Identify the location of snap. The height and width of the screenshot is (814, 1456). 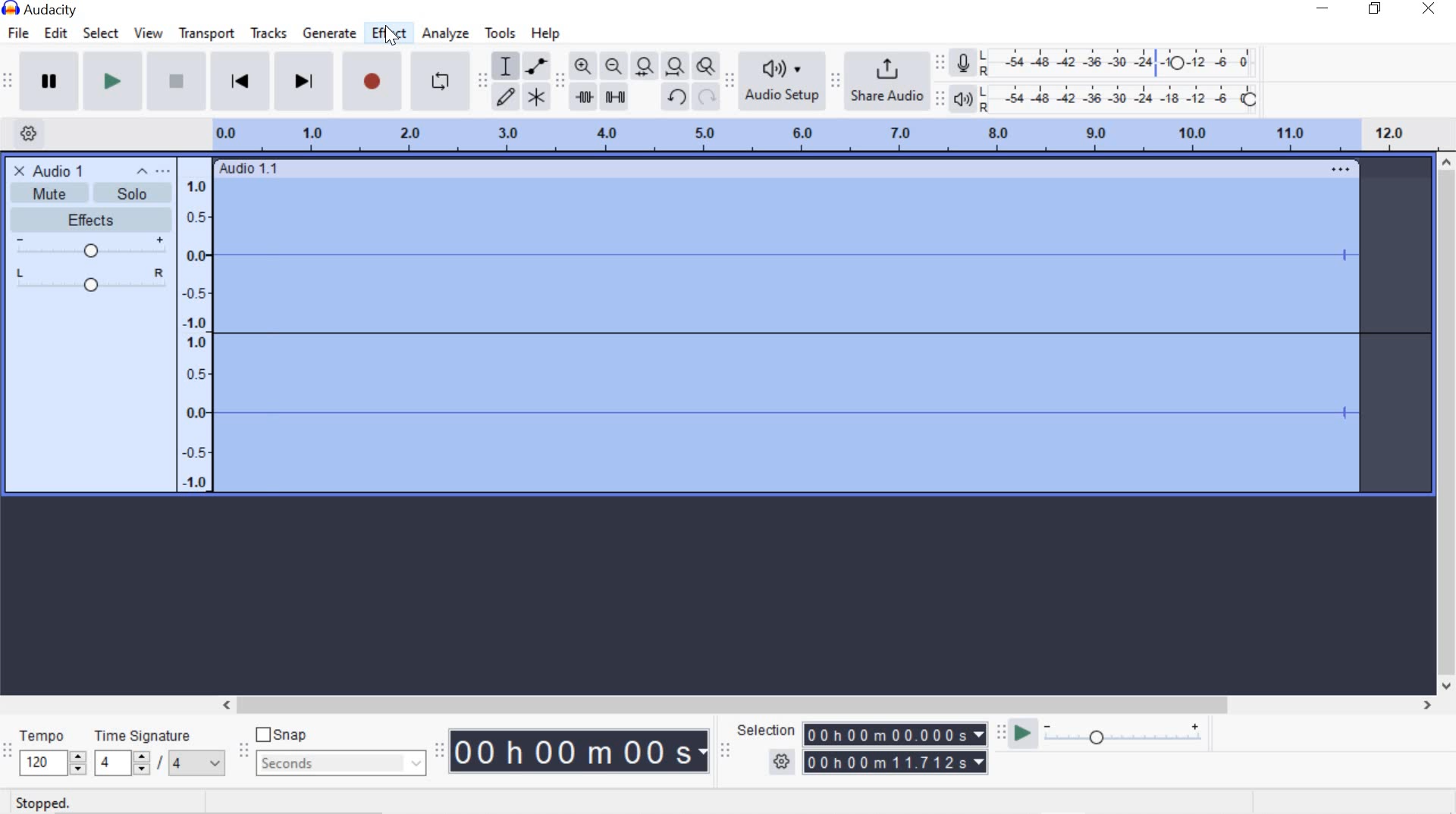
(287, 736).